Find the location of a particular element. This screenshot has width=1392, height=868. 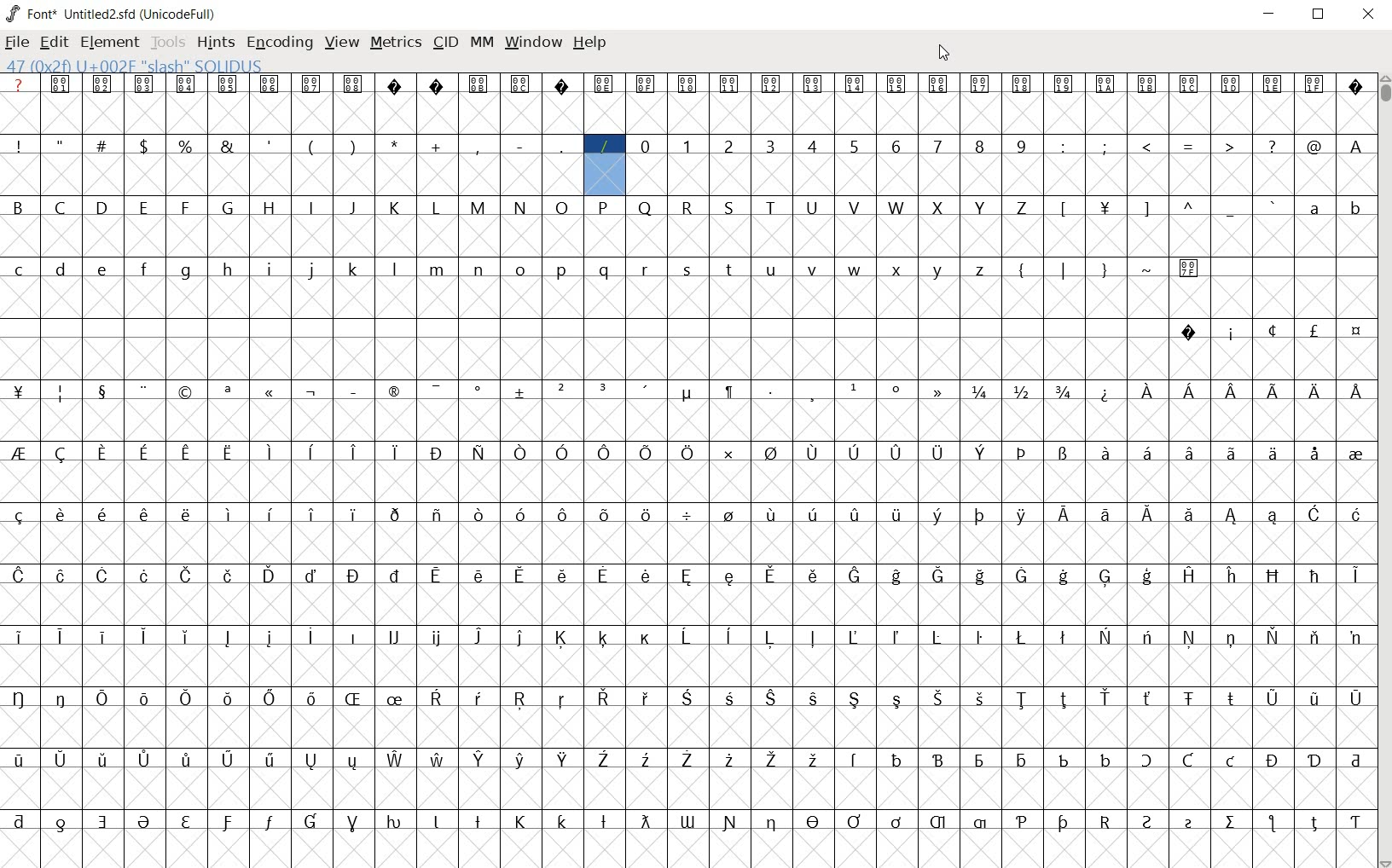

glyph is located at coordinates (1231, 822).